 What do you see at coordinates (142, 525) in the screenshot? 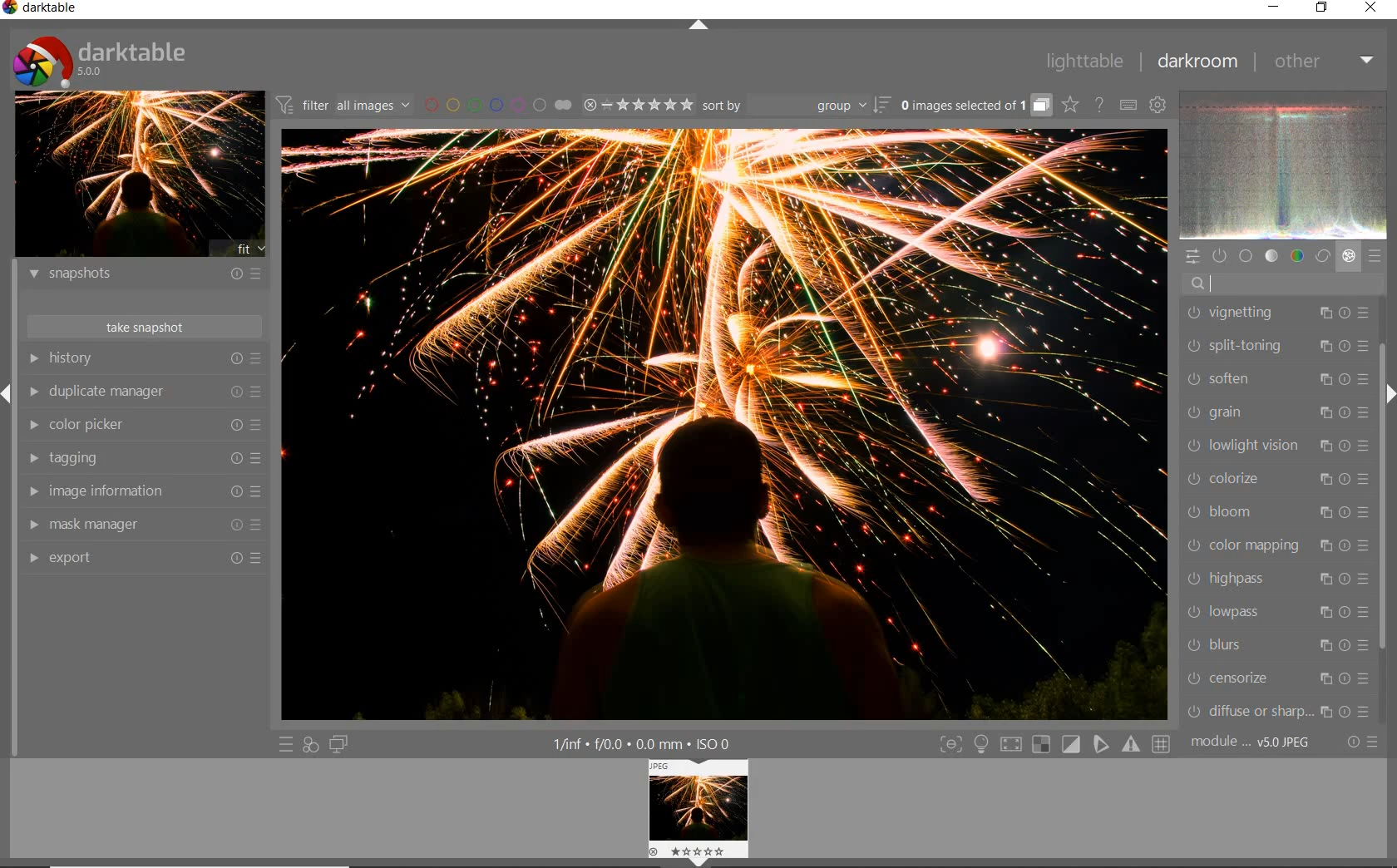
I see `mask manager` at bounding box center [142, 525].